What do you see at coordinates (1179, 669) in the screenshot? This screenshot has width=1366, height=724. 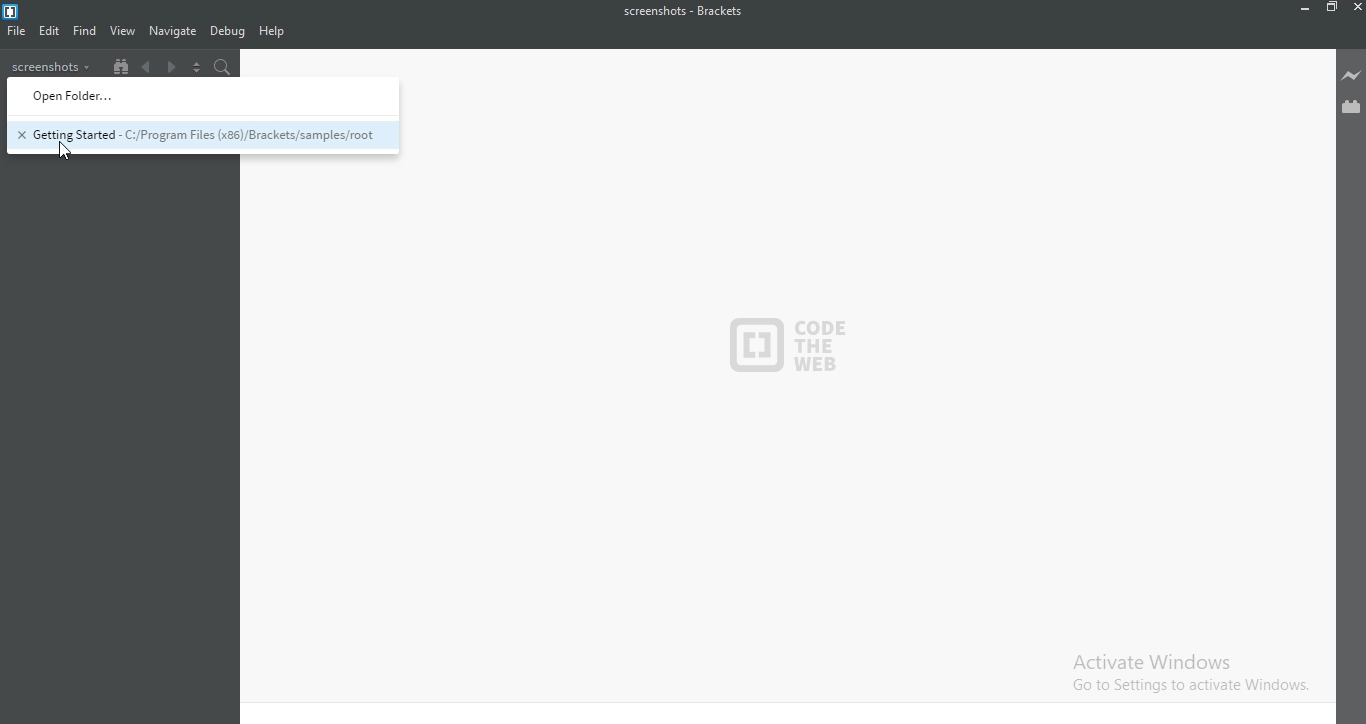 I see `Activate Windows. Go to settings to activate windows` at bounding box center [1179, 669].